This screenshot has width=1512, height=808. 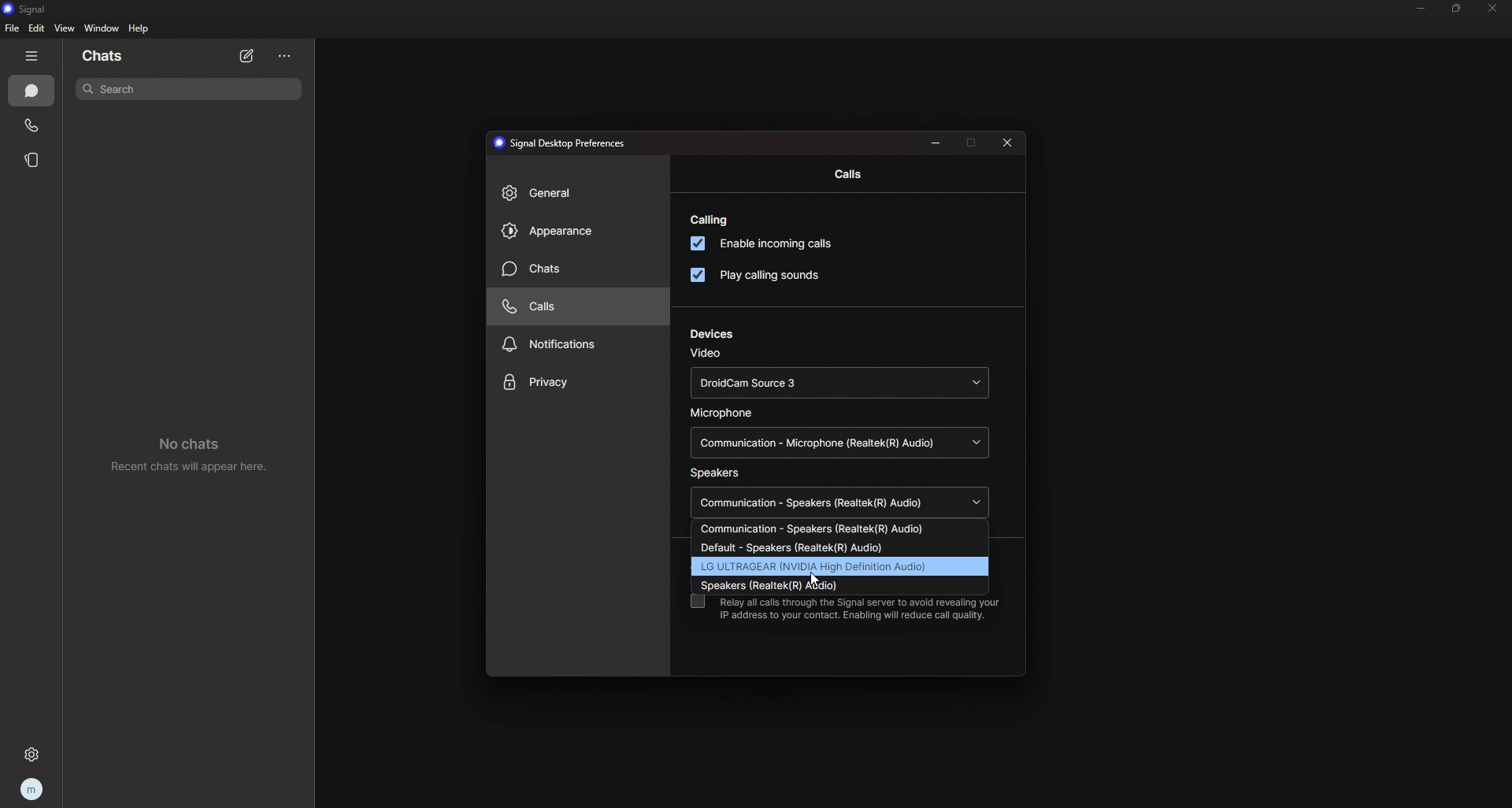 What do you see at coordinates (818, 529) in the screenshot?
I see `‘Communication - Speakers (Realtek(R) Audio)` at bounding box center [818, 529].